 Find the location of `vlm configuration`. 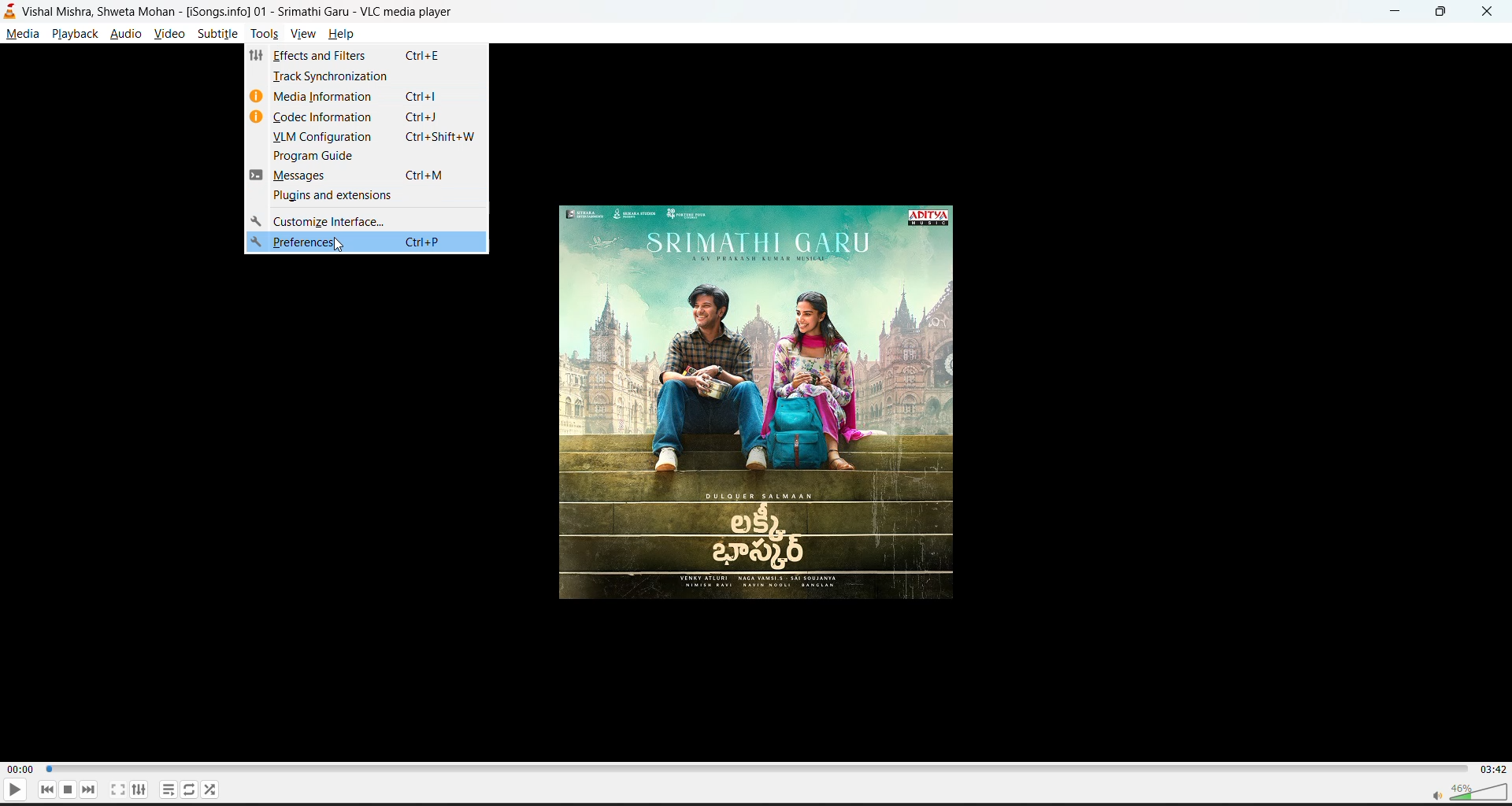

vlm configuration is located at coordinates (368, 136).